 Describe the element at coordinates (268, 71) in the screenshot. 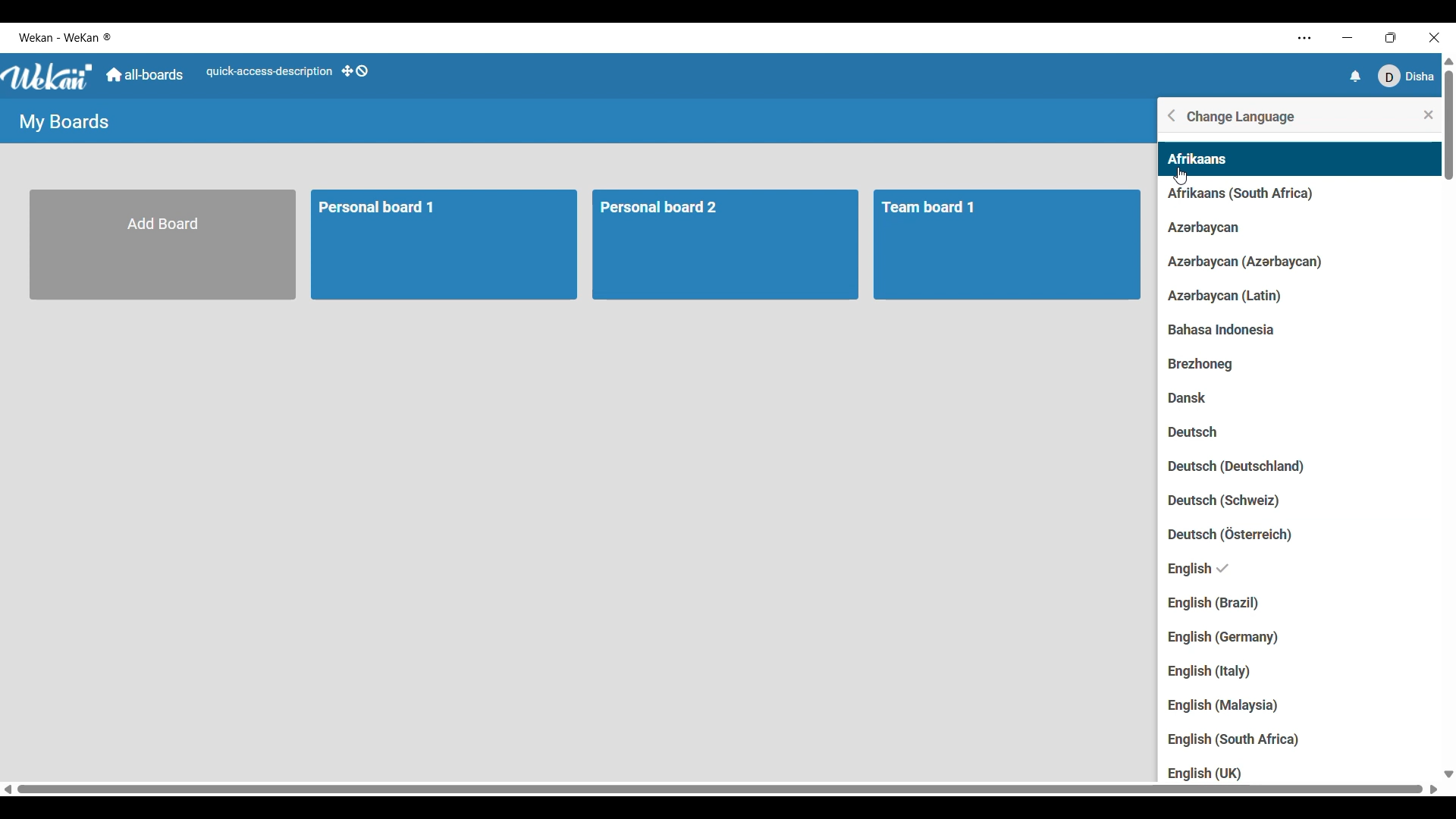

I see `Quick access description` at that location.